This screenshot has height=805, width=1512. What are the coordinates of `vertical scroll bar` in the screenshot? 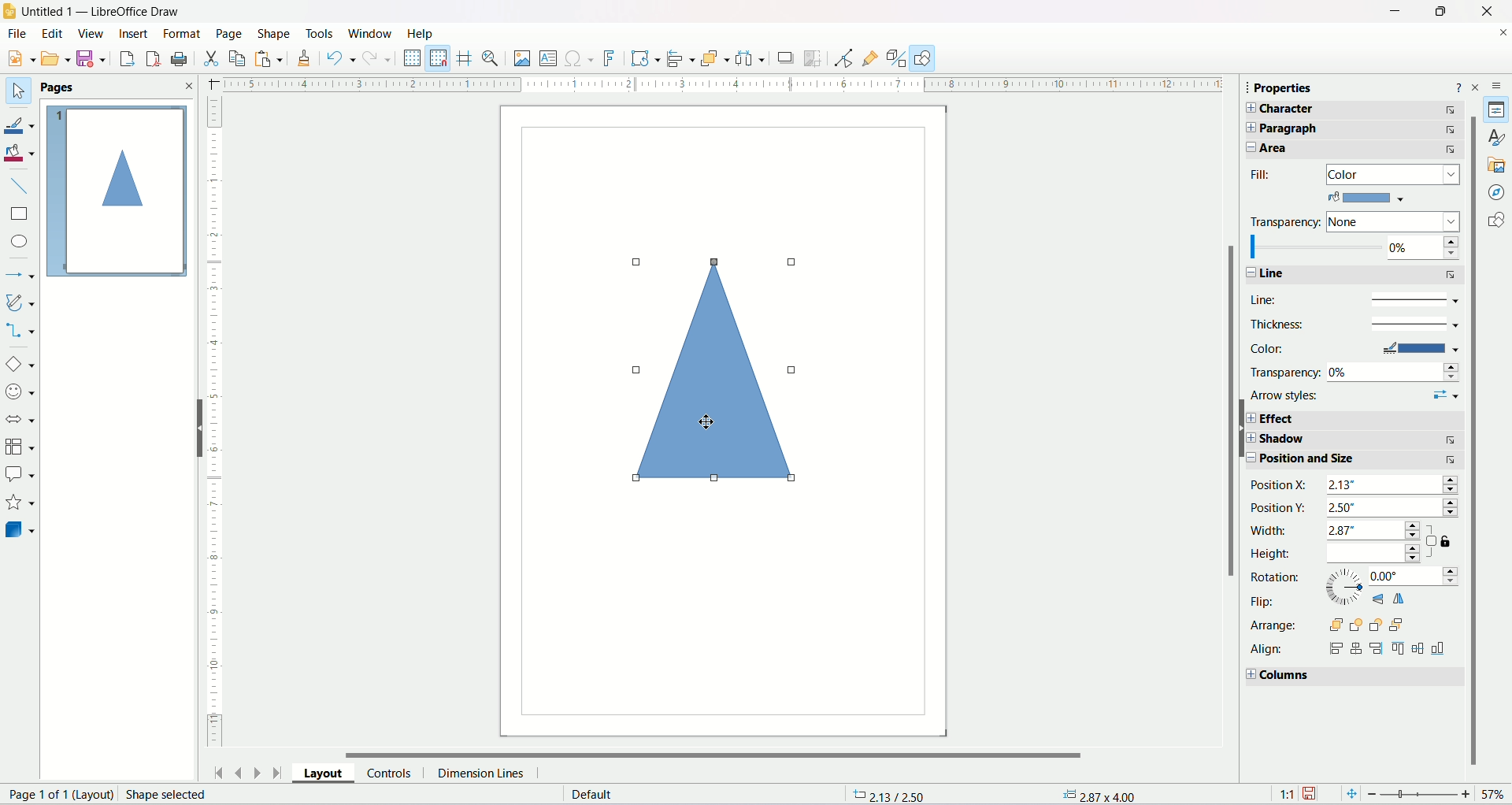 It's located at (1231, 397).